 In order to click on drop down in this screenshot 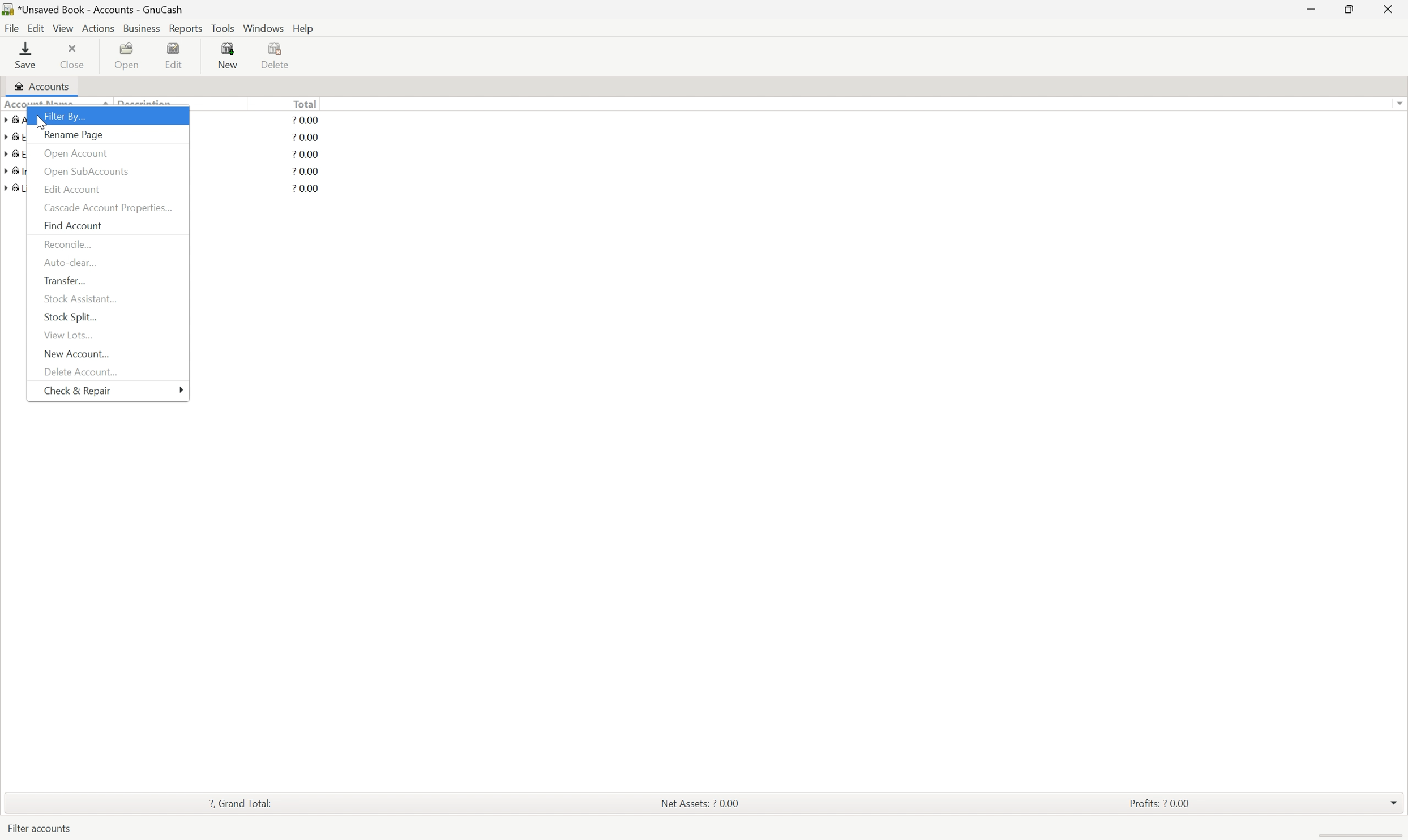, I will do `click(1390, 803)`.